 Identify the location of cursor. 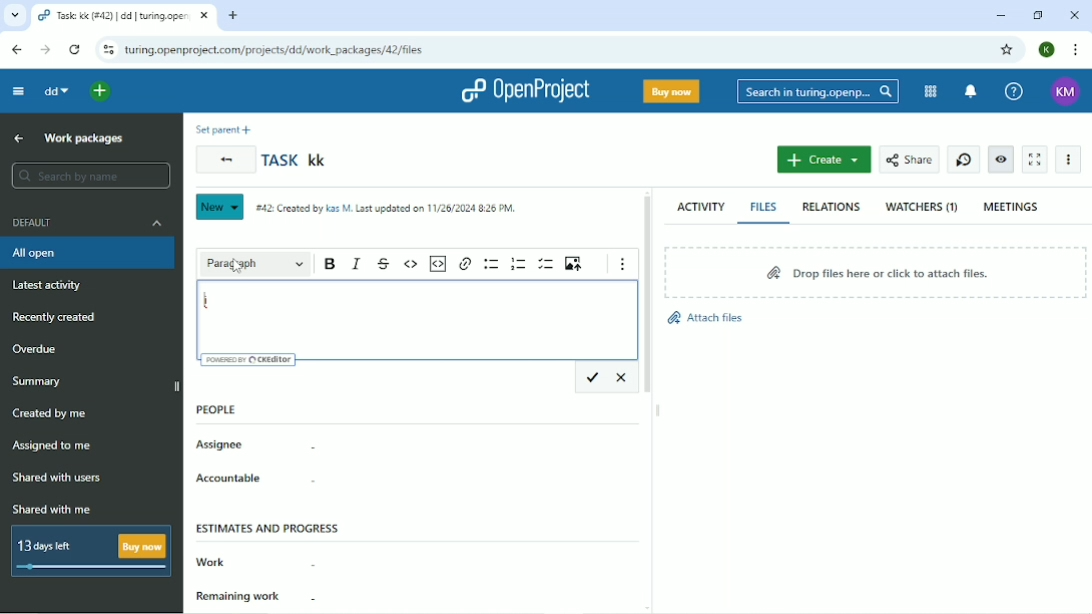
(242, 271).